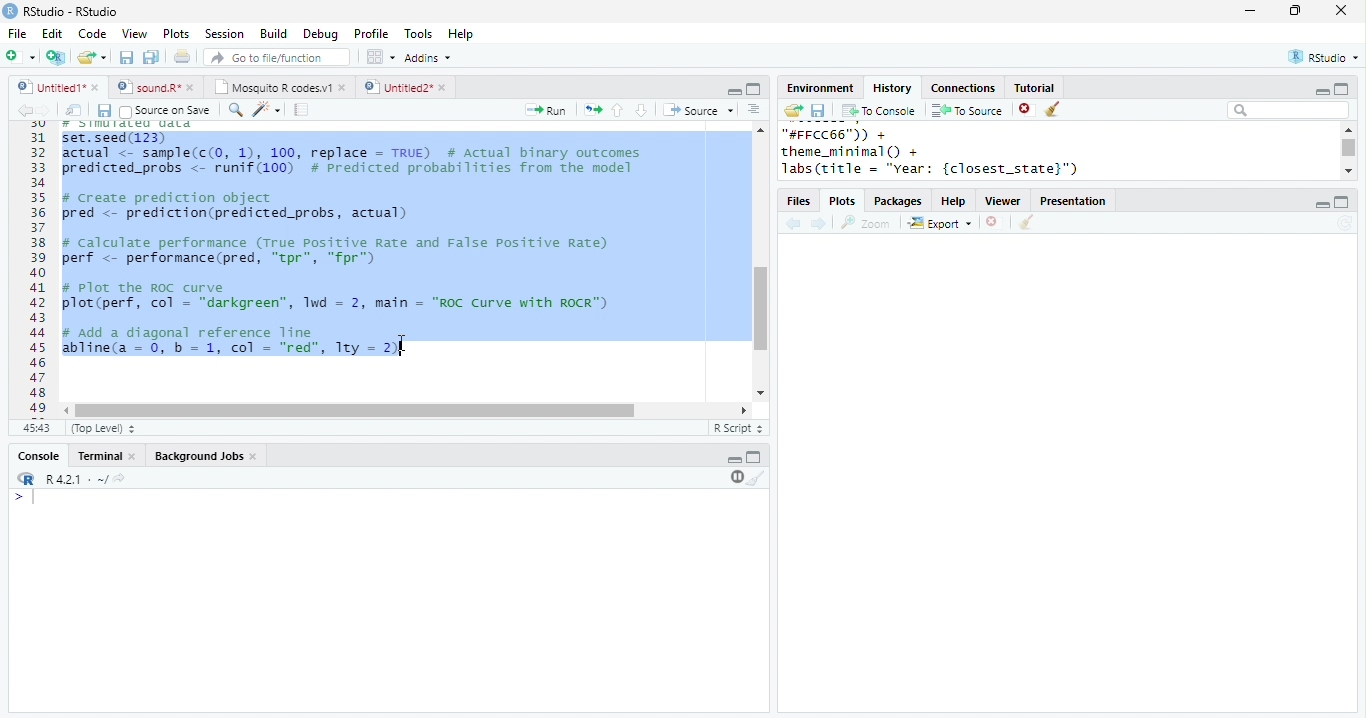 The image size is (1366, 718). I want to click on code tools, so click(267, 109).